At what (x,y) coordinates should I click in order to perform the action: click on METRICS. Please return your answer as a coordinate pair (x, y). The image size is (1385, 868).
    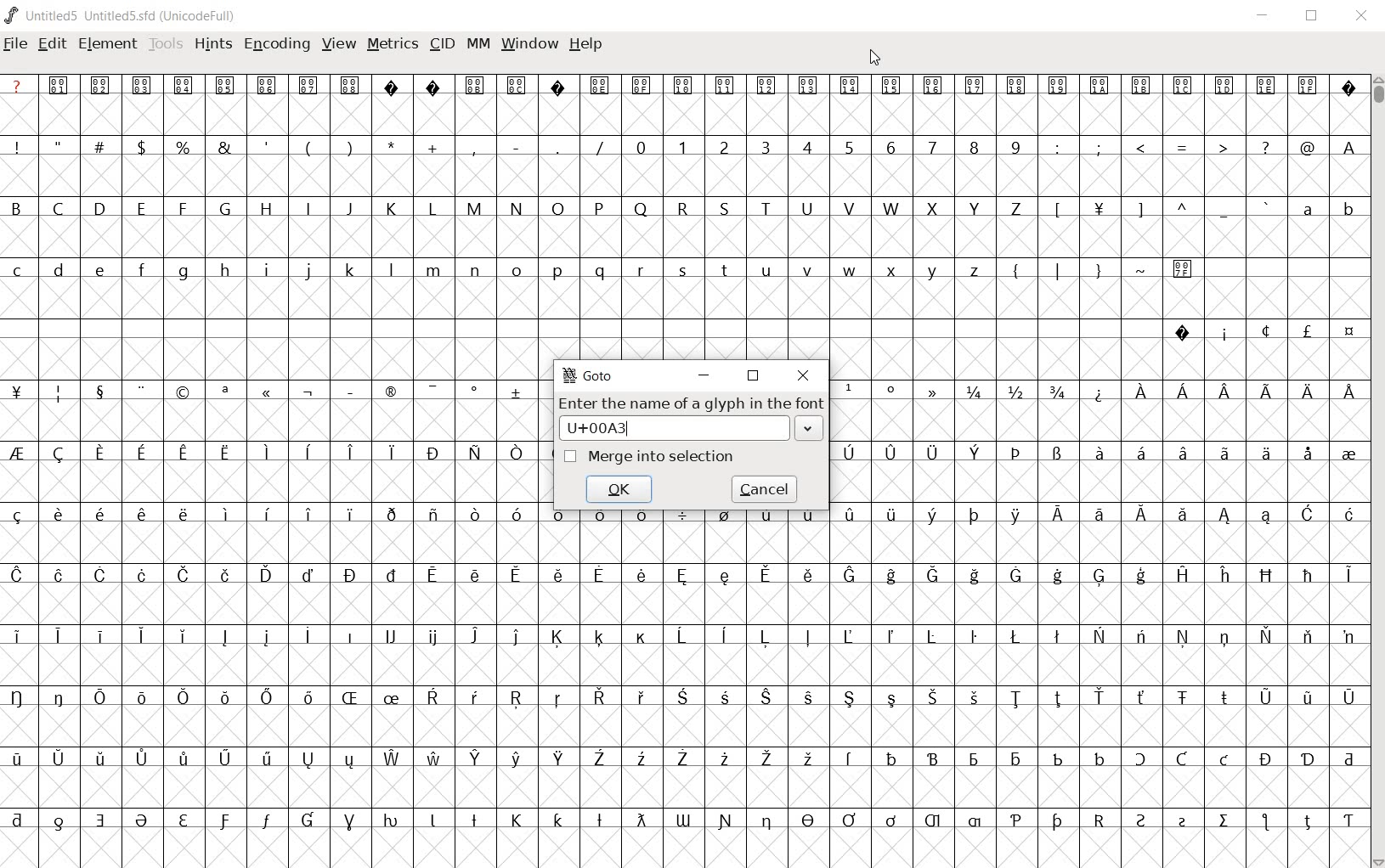
    Looking at the image, I should click on (391, 46).